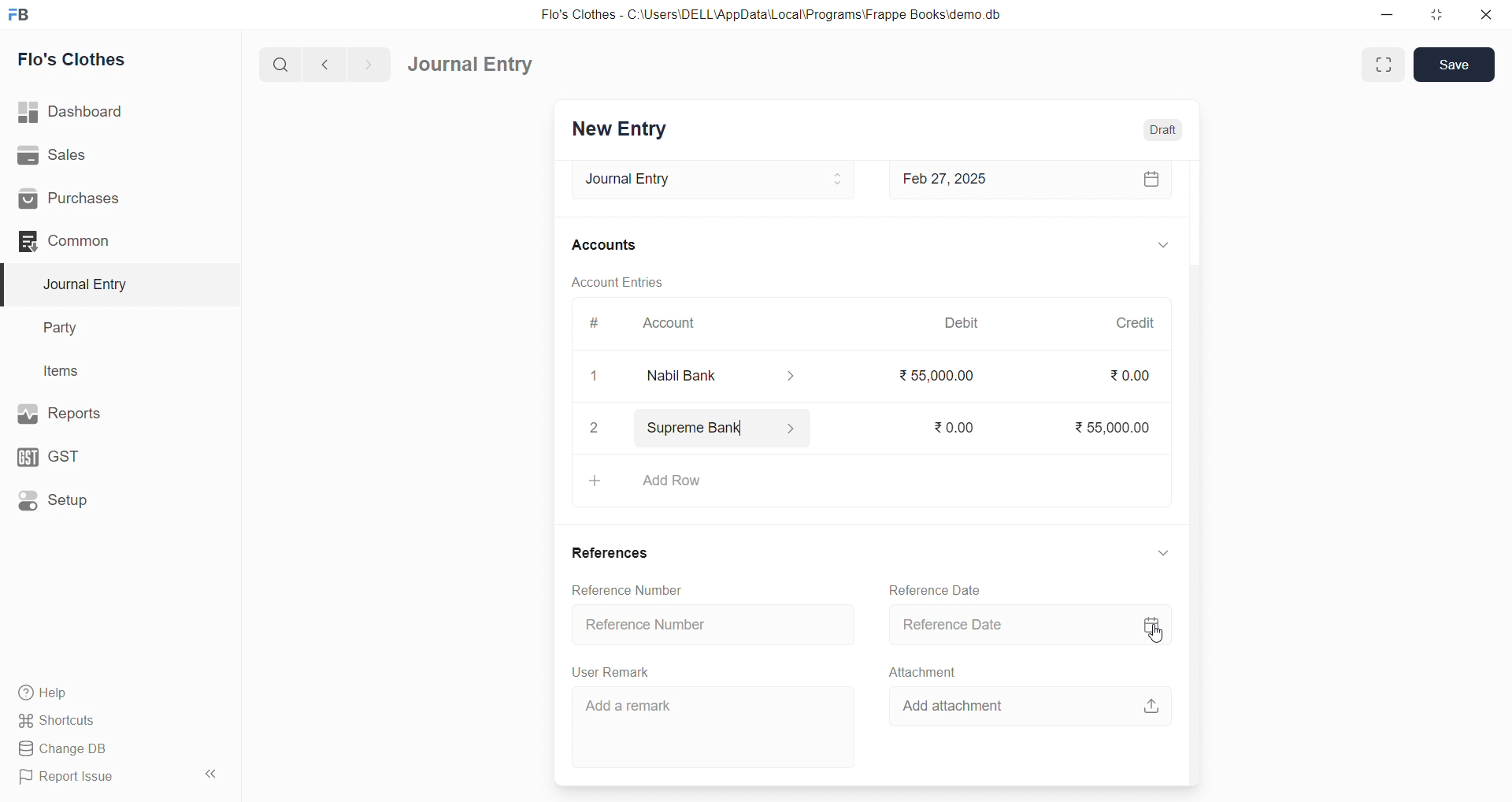 This screenshot has height=802, width=1512. I want to click on EXPAND/COLLAPSE, so click(1164, 553).